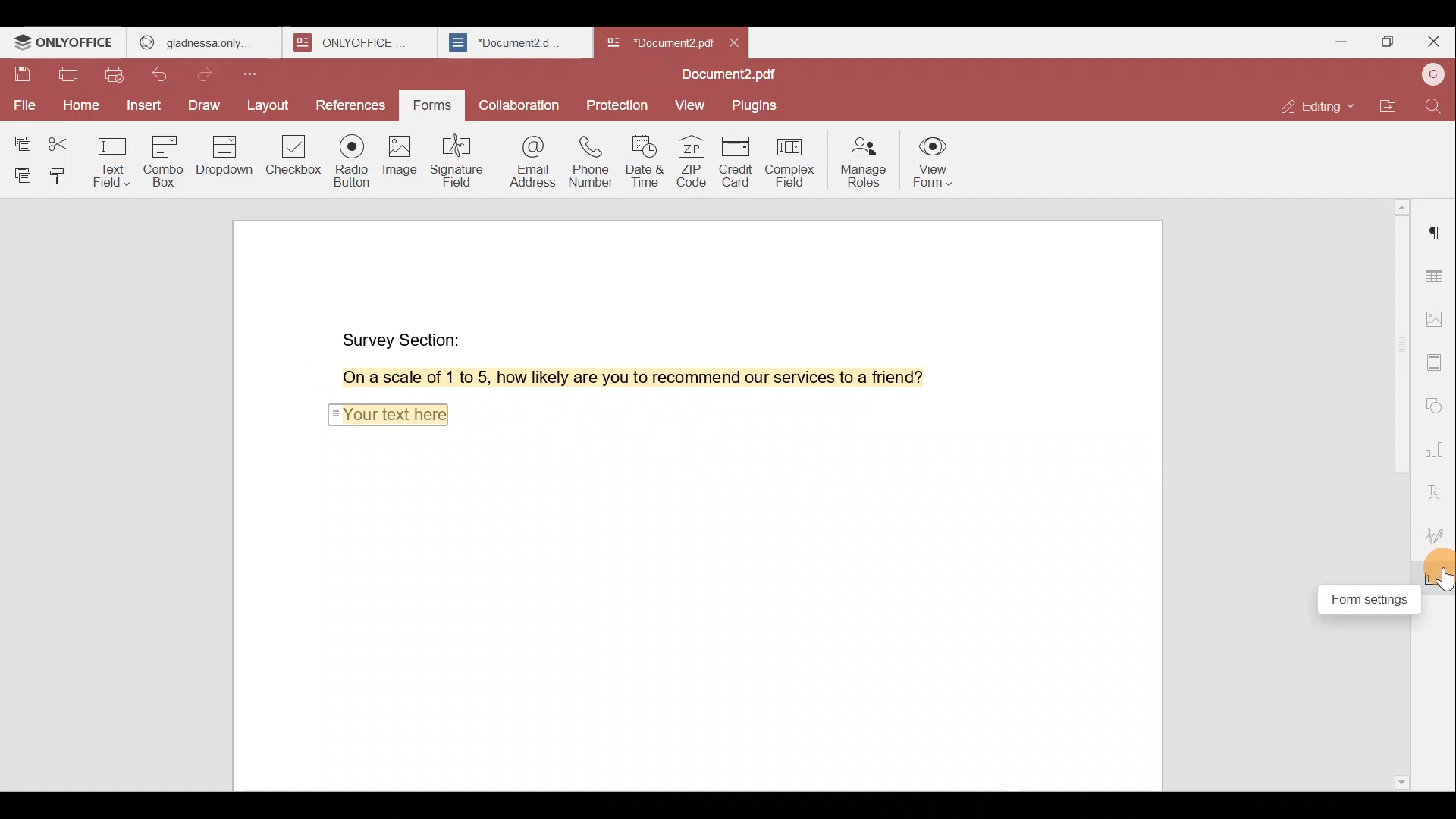  Describe the element at coordinates (1437, 231) in the screenshot. I see `Paragraph settings` at that location.